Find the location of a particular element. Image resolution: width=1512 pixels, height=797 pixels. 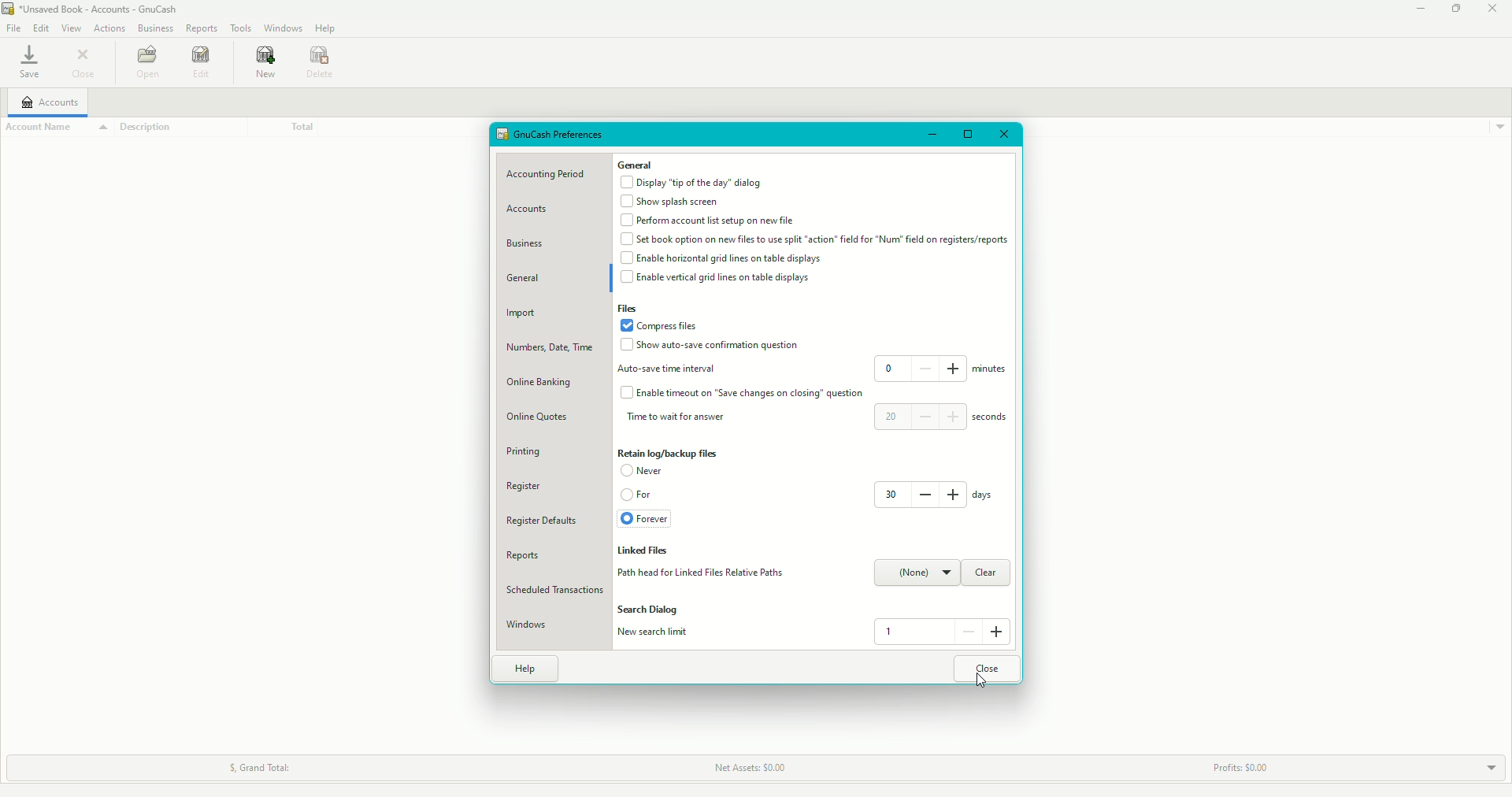

Minimize is located at coordinates (928, 133).